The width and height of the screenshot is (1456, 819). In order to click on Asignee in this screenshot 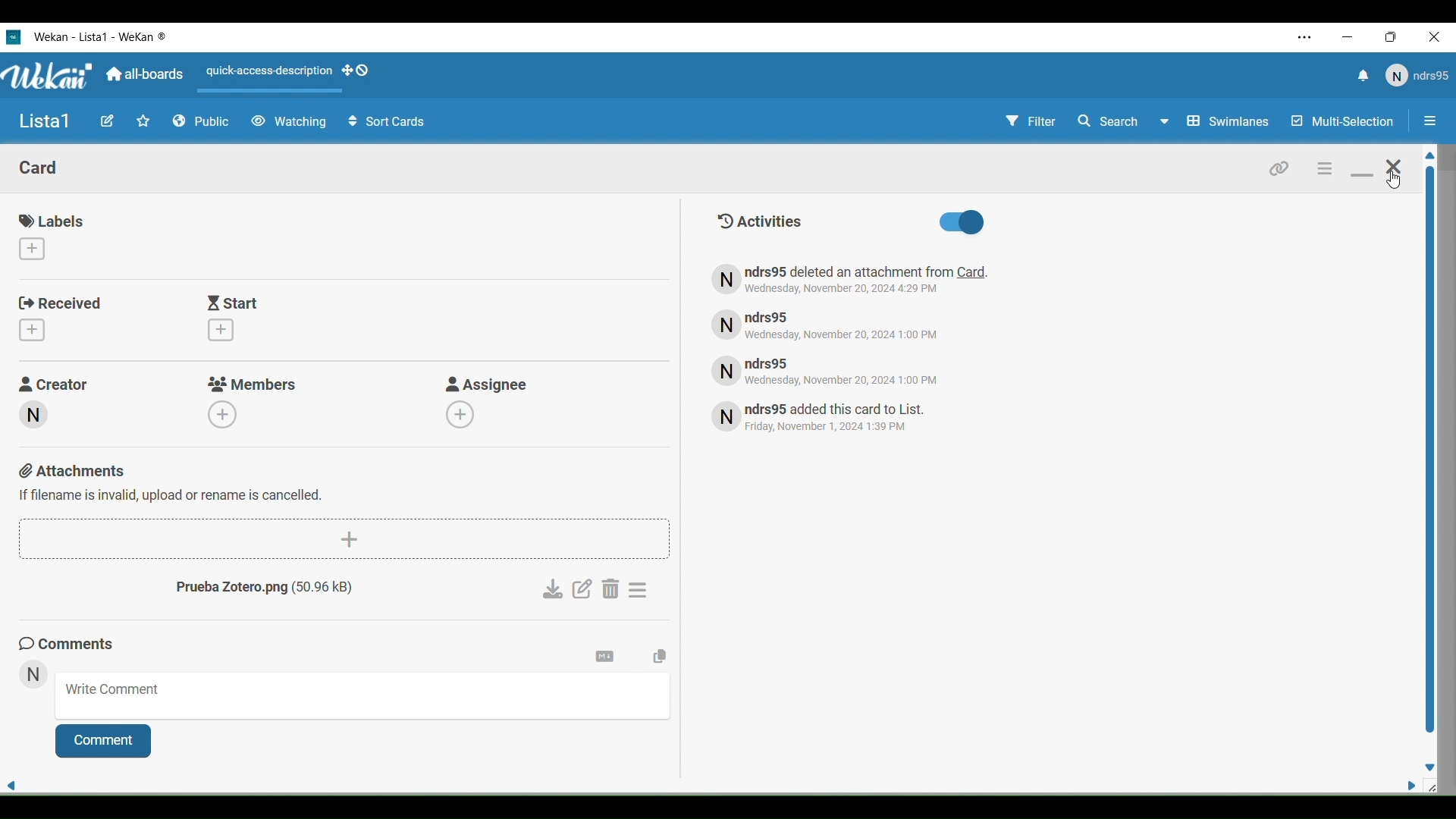, I will do `click(488, 384)`.